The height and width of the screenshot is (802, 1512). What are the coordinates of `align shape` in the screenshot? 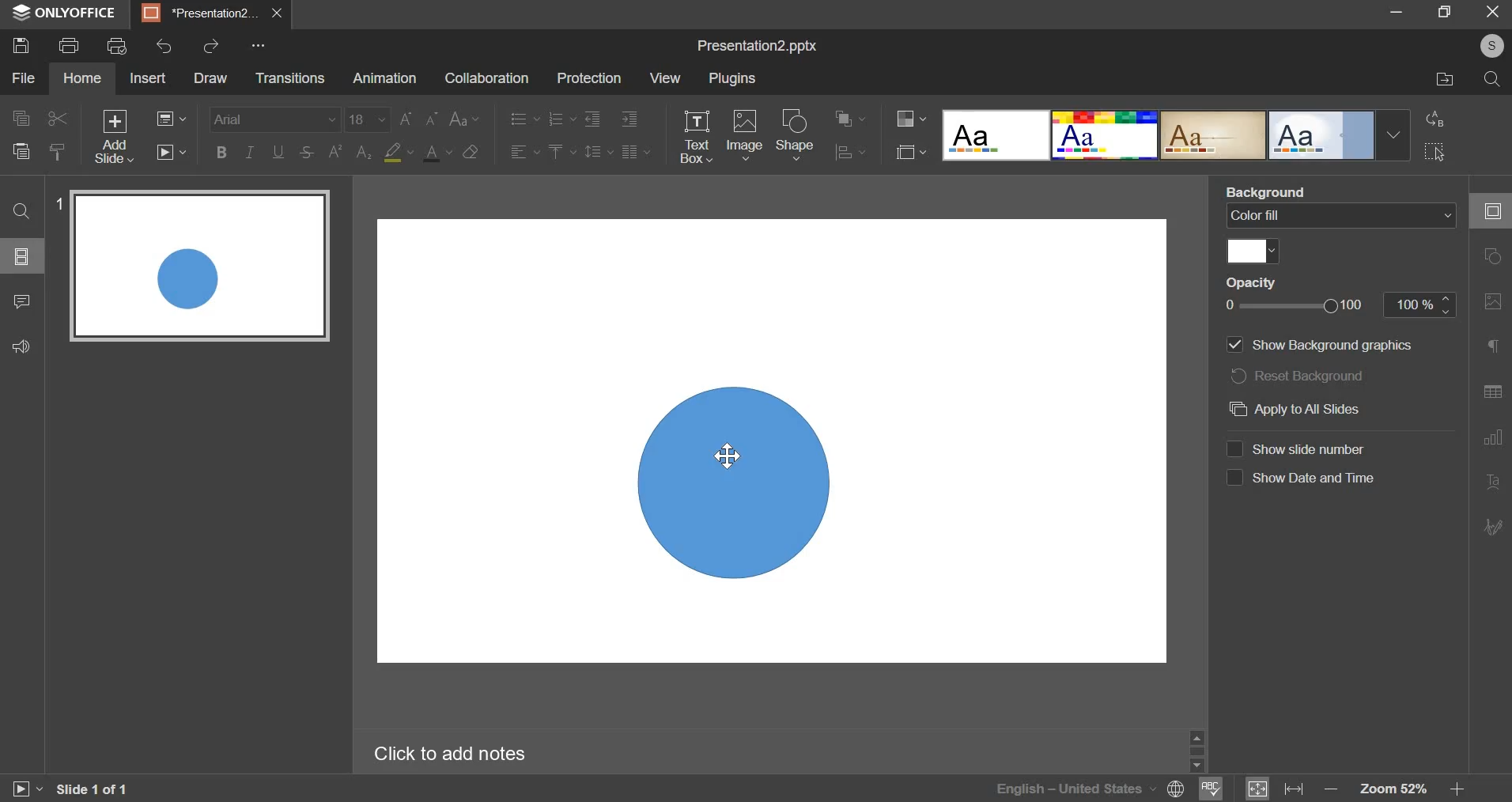 It's located at (848, 151).